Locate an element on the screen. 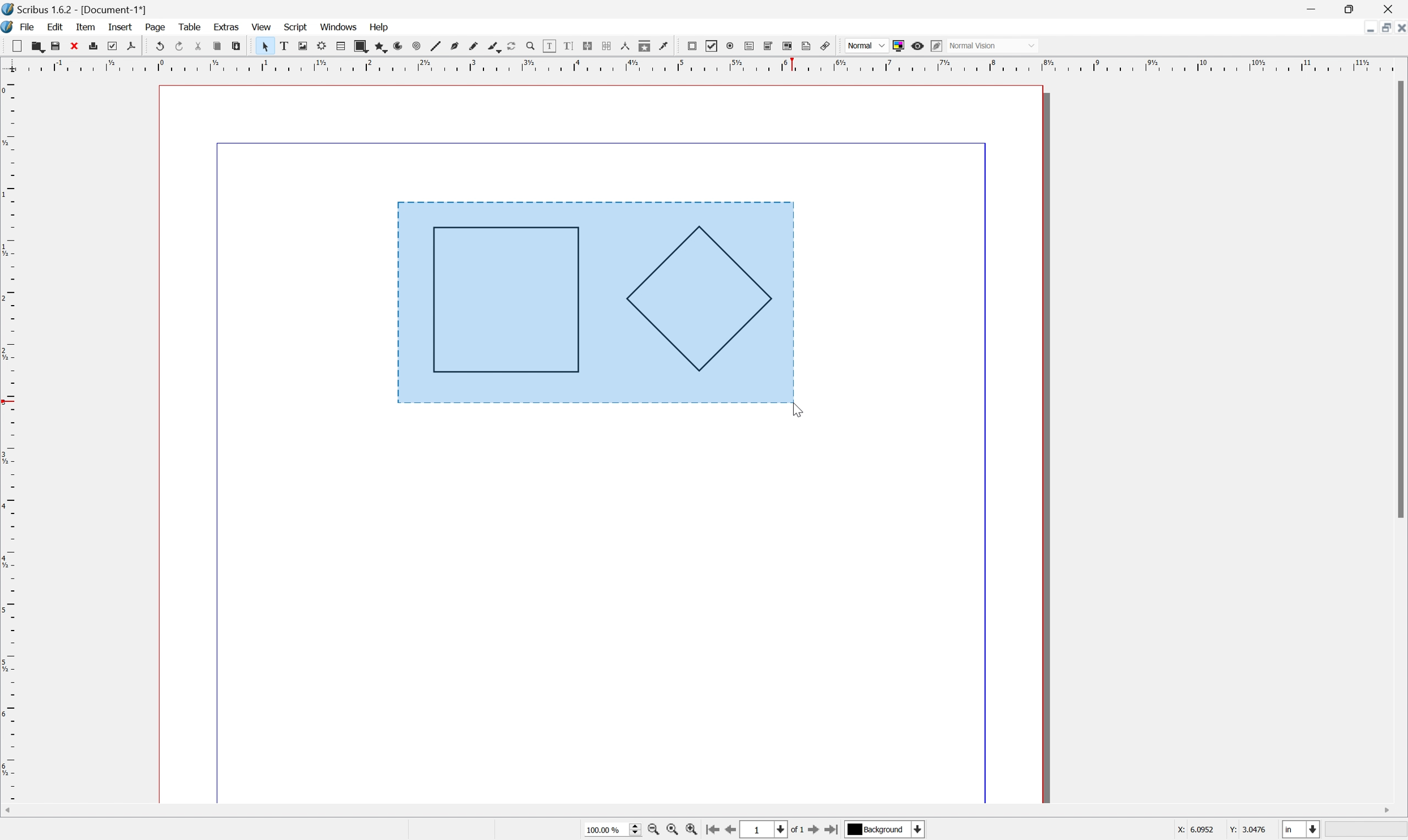  Zoom to 100% is located at coordinates (670, 832).